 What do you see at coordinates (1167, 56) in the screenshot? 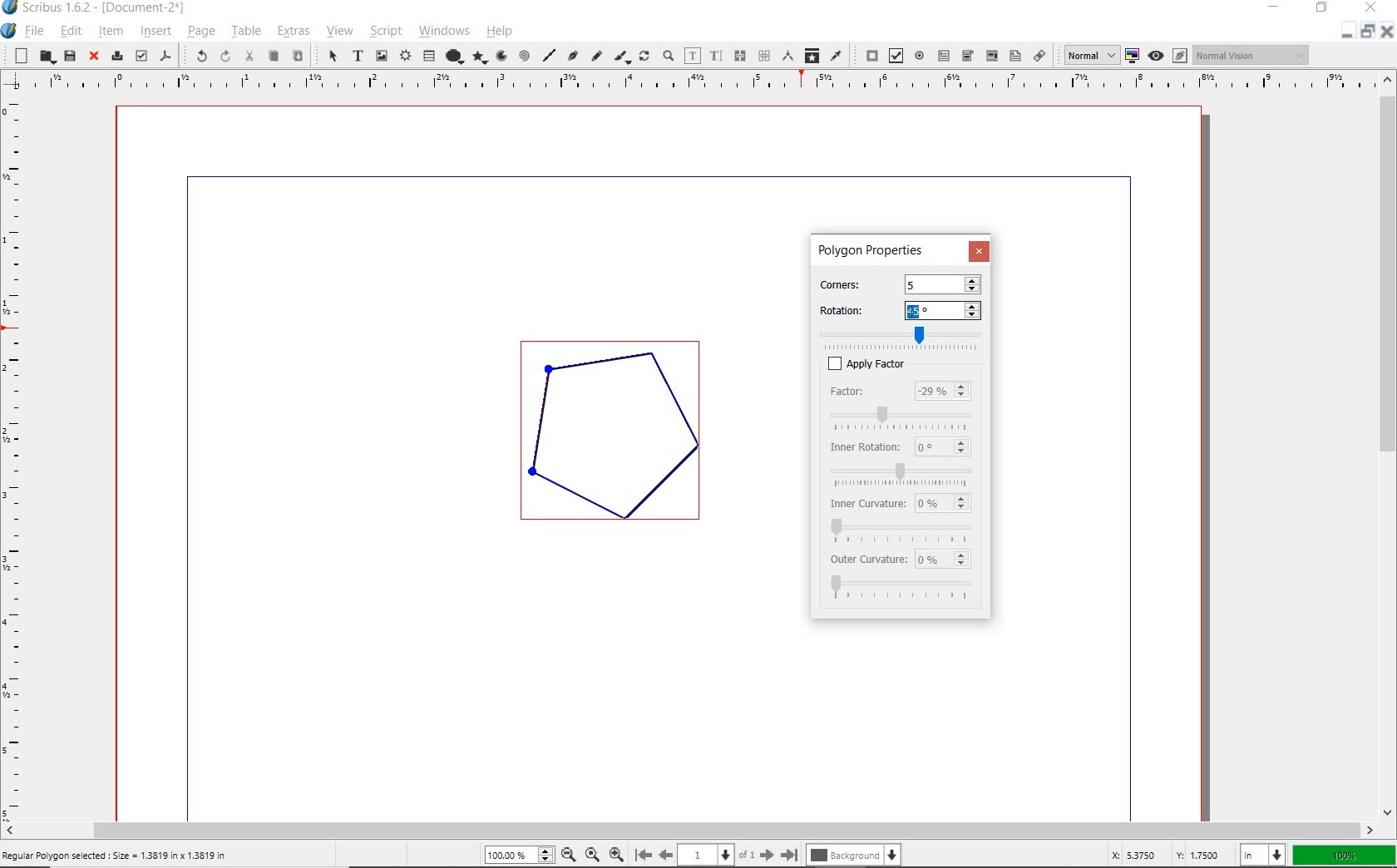
I see `preview mode` at bounding box center [1167, 56].